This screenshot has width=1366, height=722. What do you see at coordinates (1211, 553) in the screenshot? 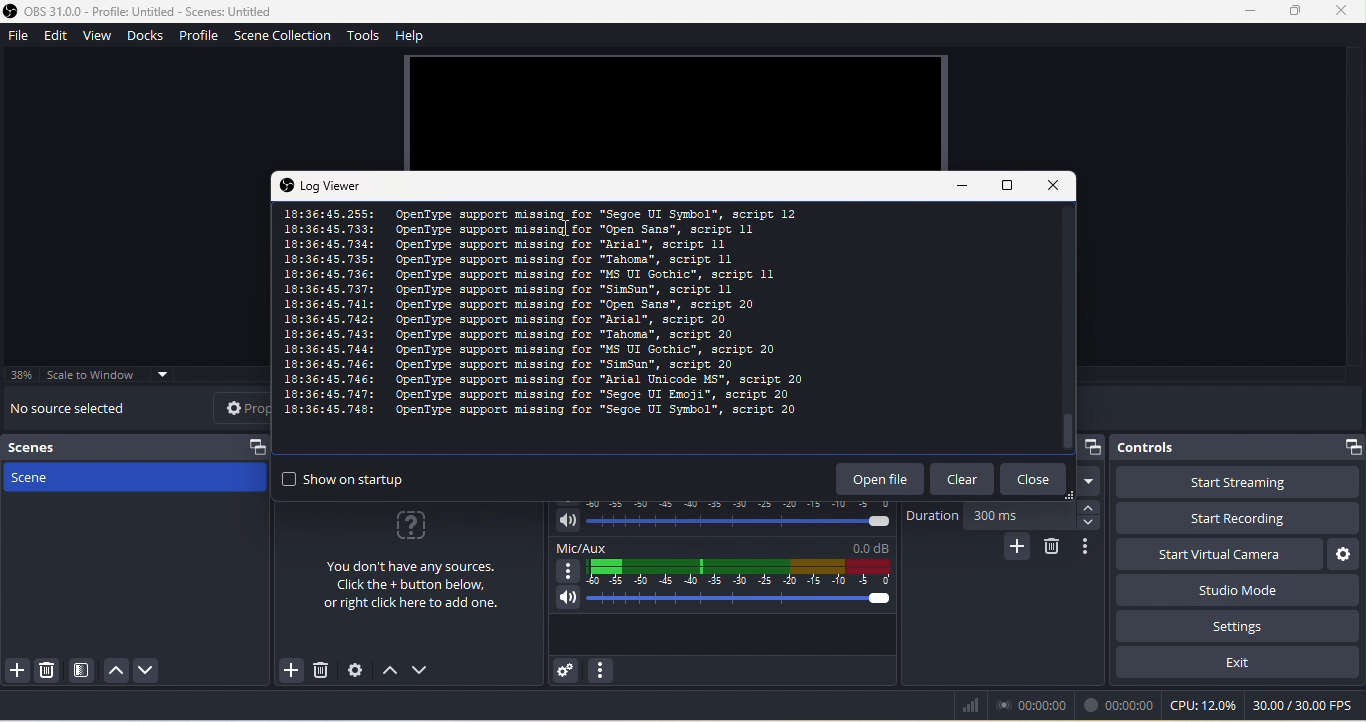
I see `start virtual camera` at bounding box center [1211, 553].